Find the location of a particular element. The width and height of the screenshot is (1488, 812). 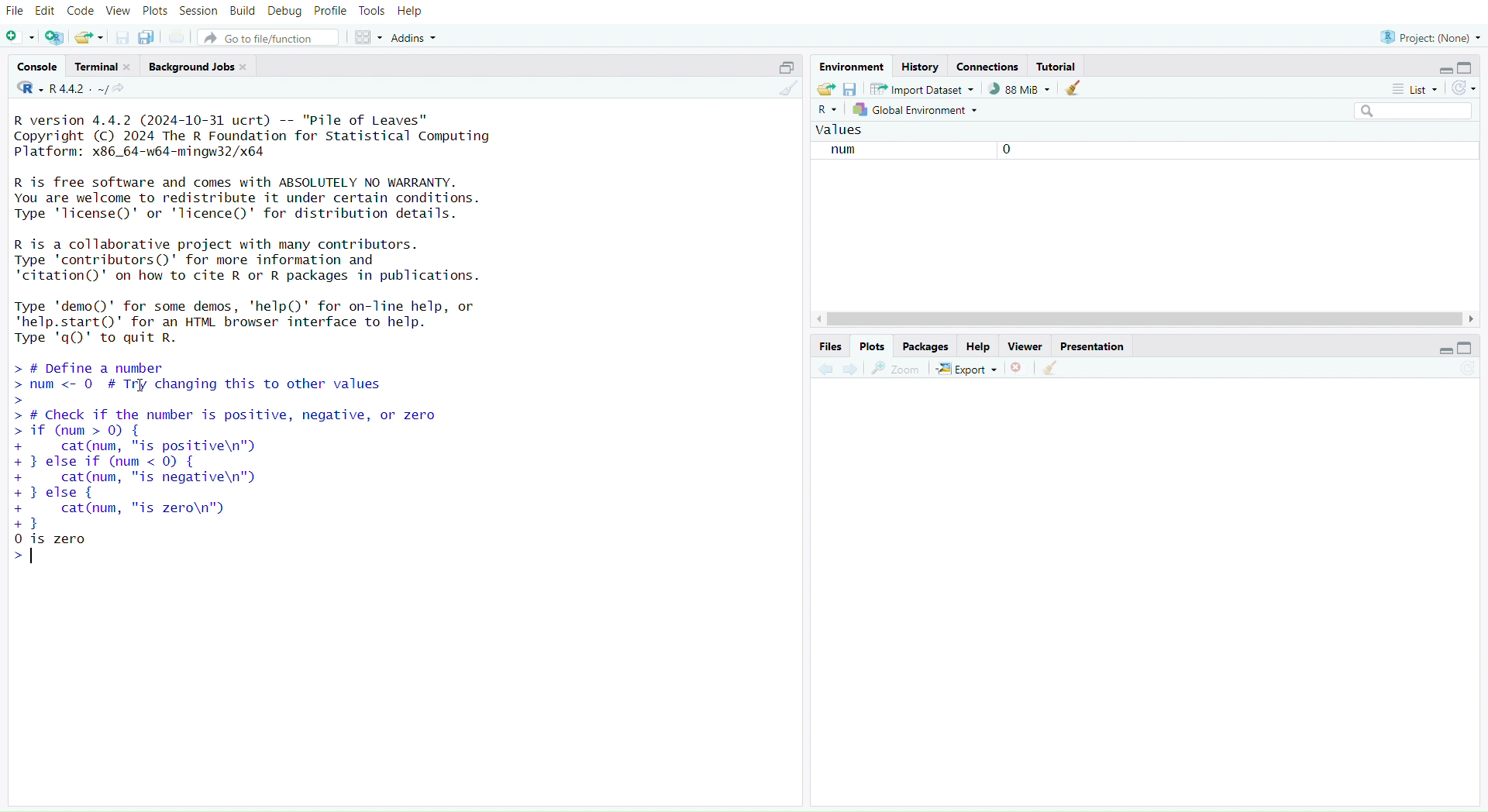

session is located at coordinates (201, 12).